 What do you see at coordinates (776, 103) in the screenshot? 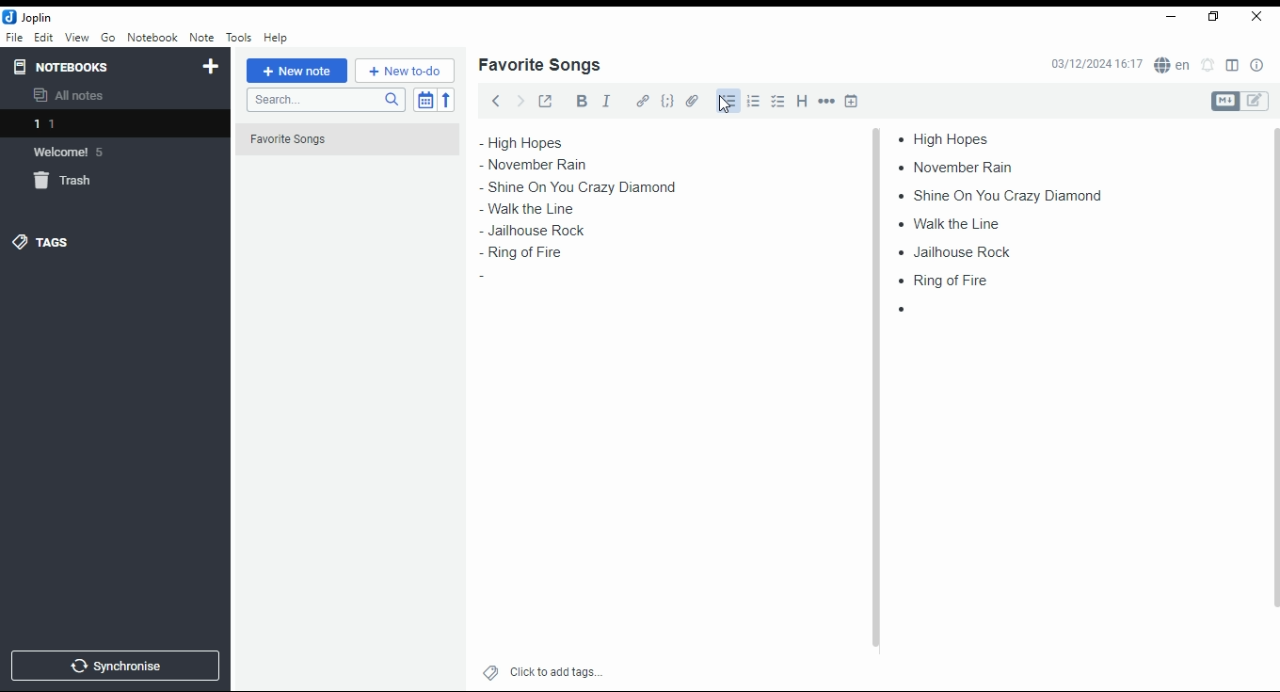
I see `checkbox` at bounding box center [776, 103].